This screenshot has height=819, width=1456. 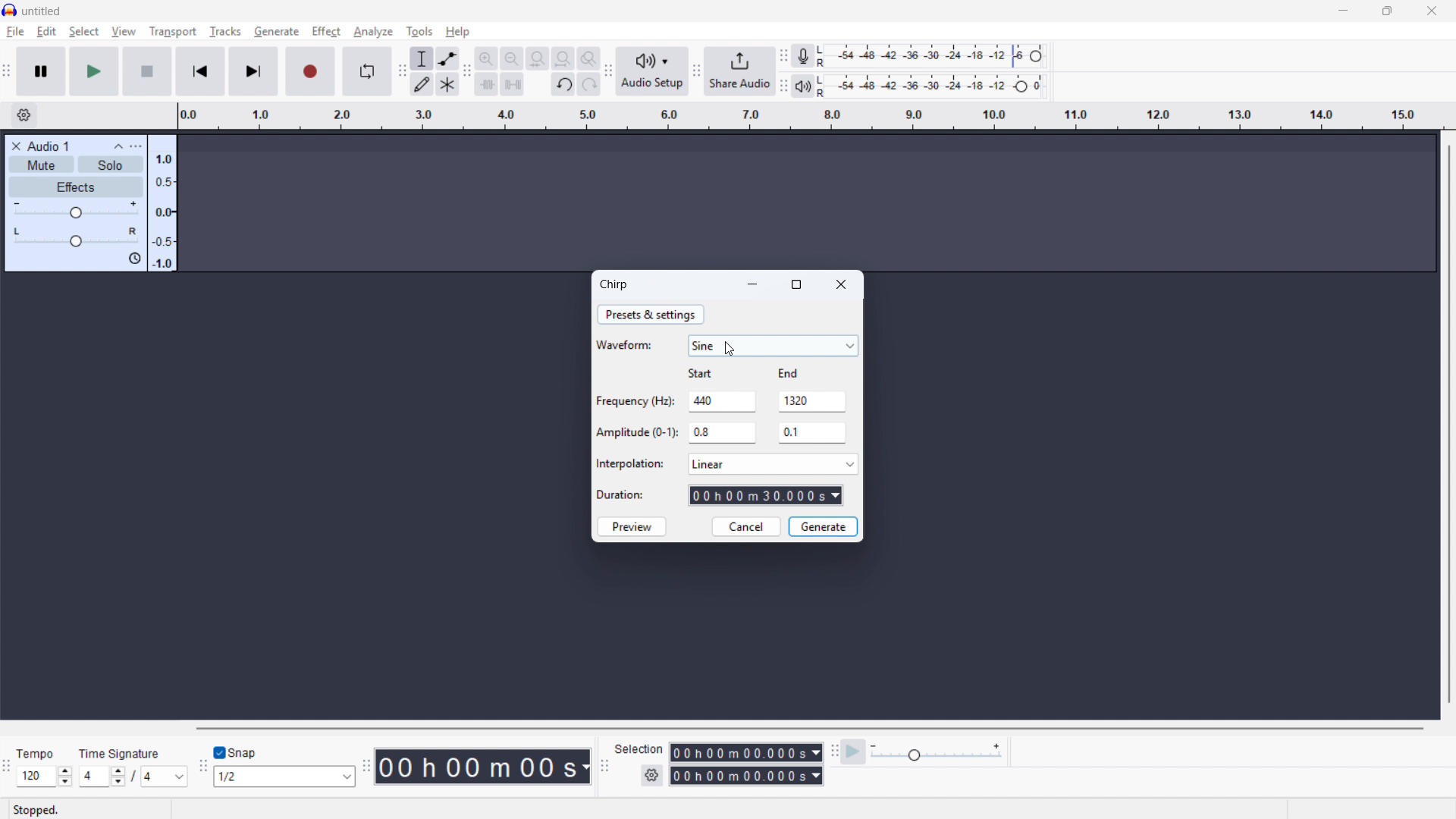 I want to click on Starting amplitude , so click(x=723, y=433).